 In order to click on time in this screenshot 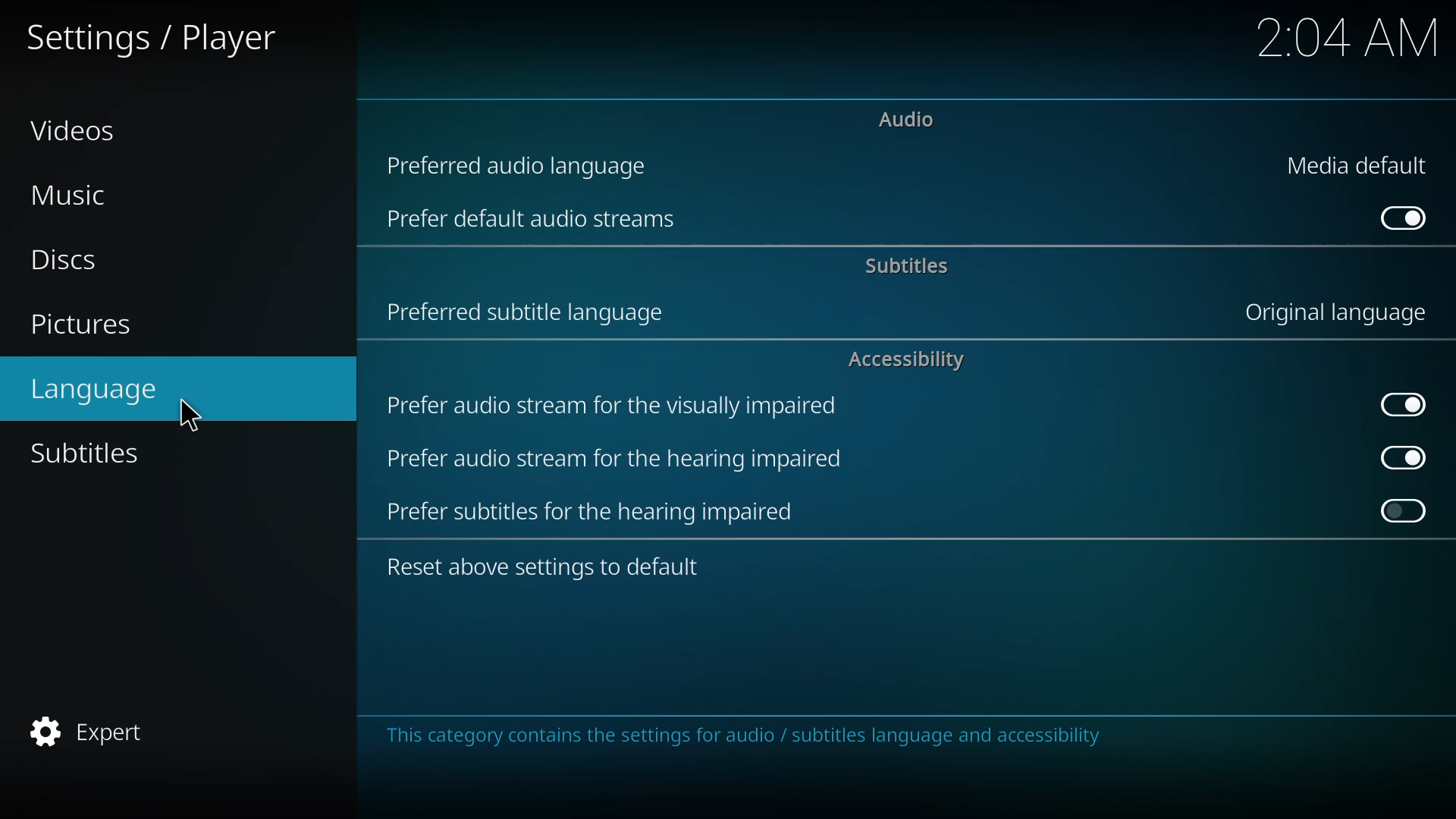, I will do `click(1348, 39)`.